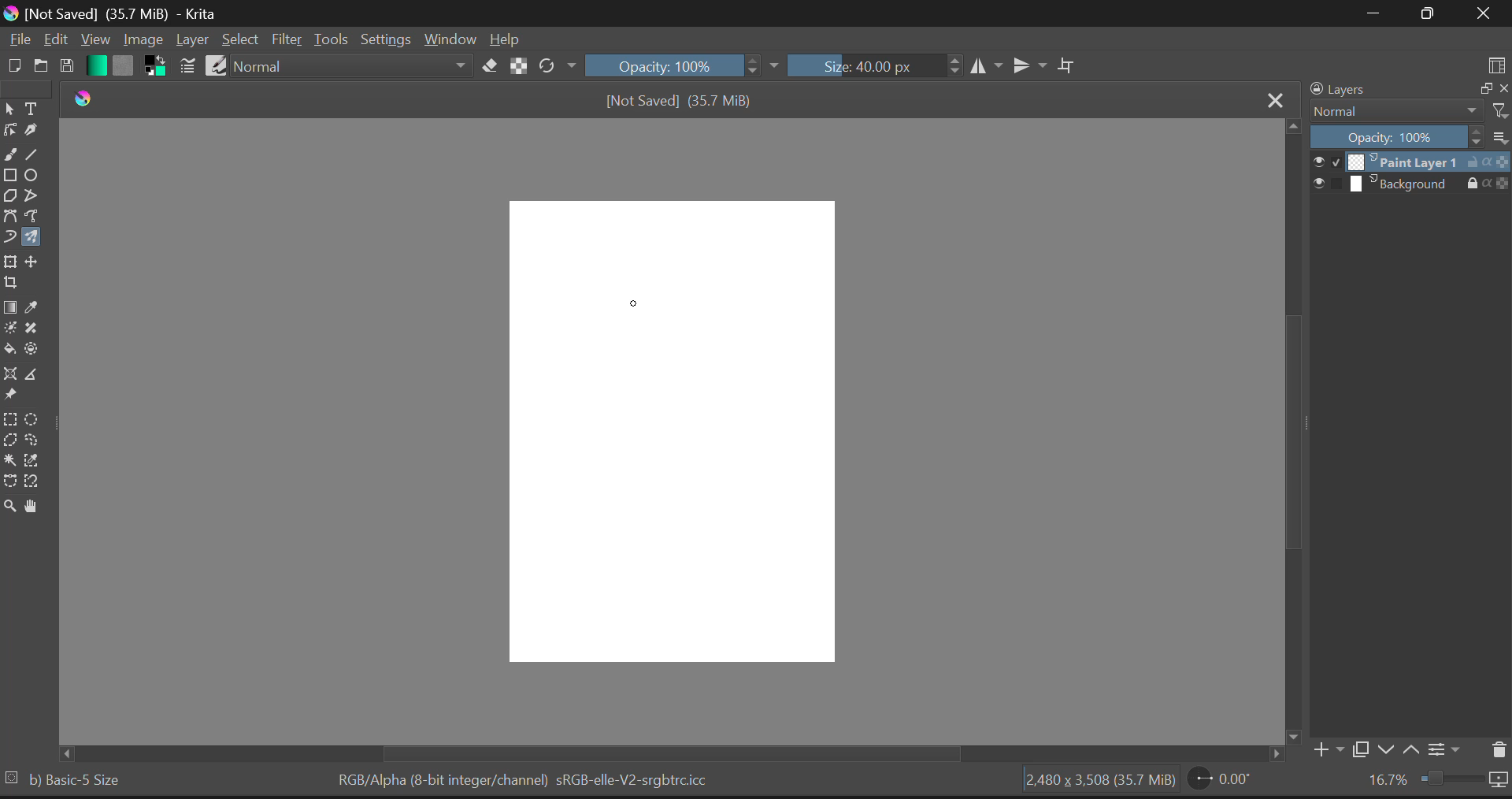  I want to click on Line, so click(35, 152).